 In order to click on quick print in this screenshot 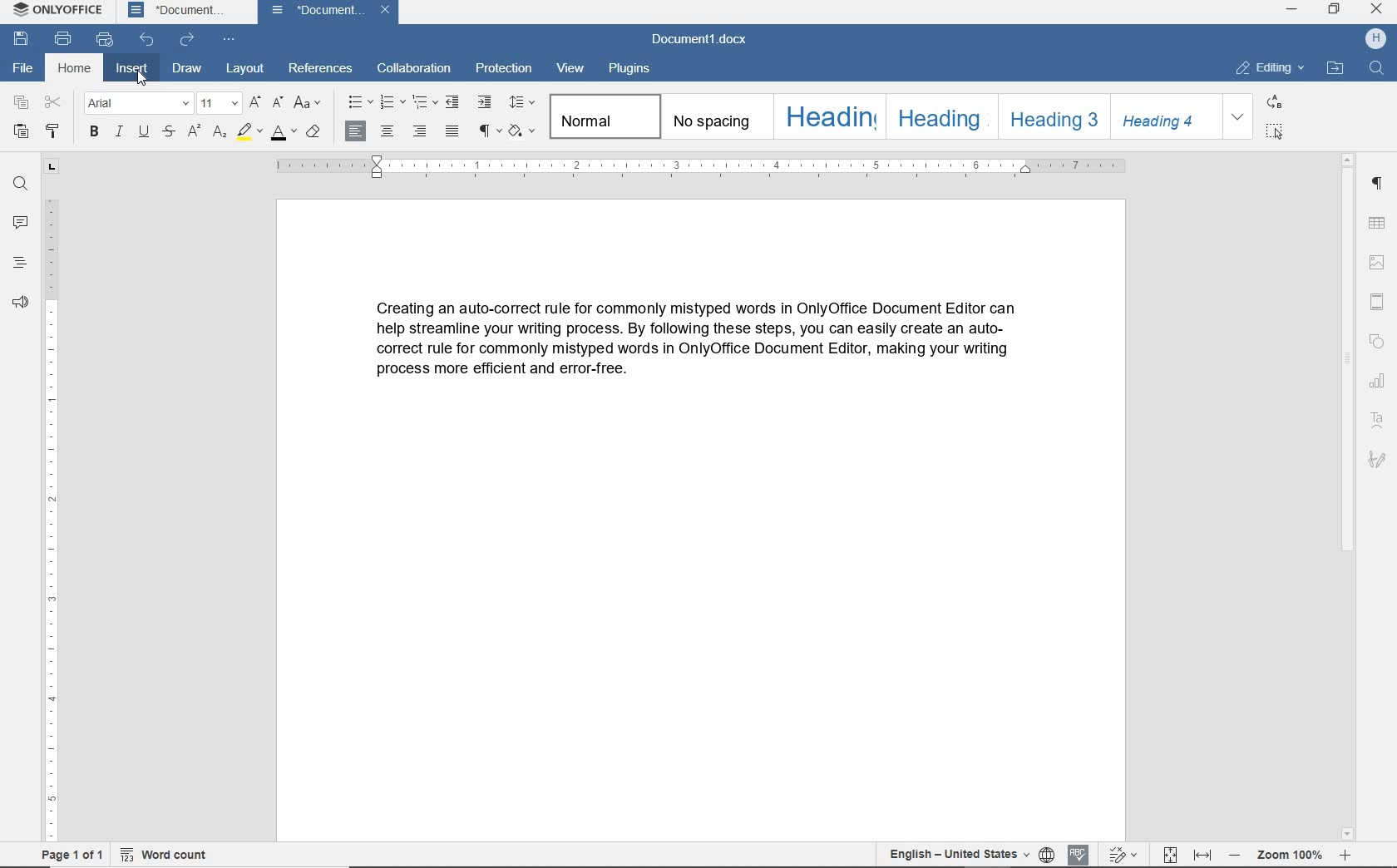, I will do `click(105, 39)`.